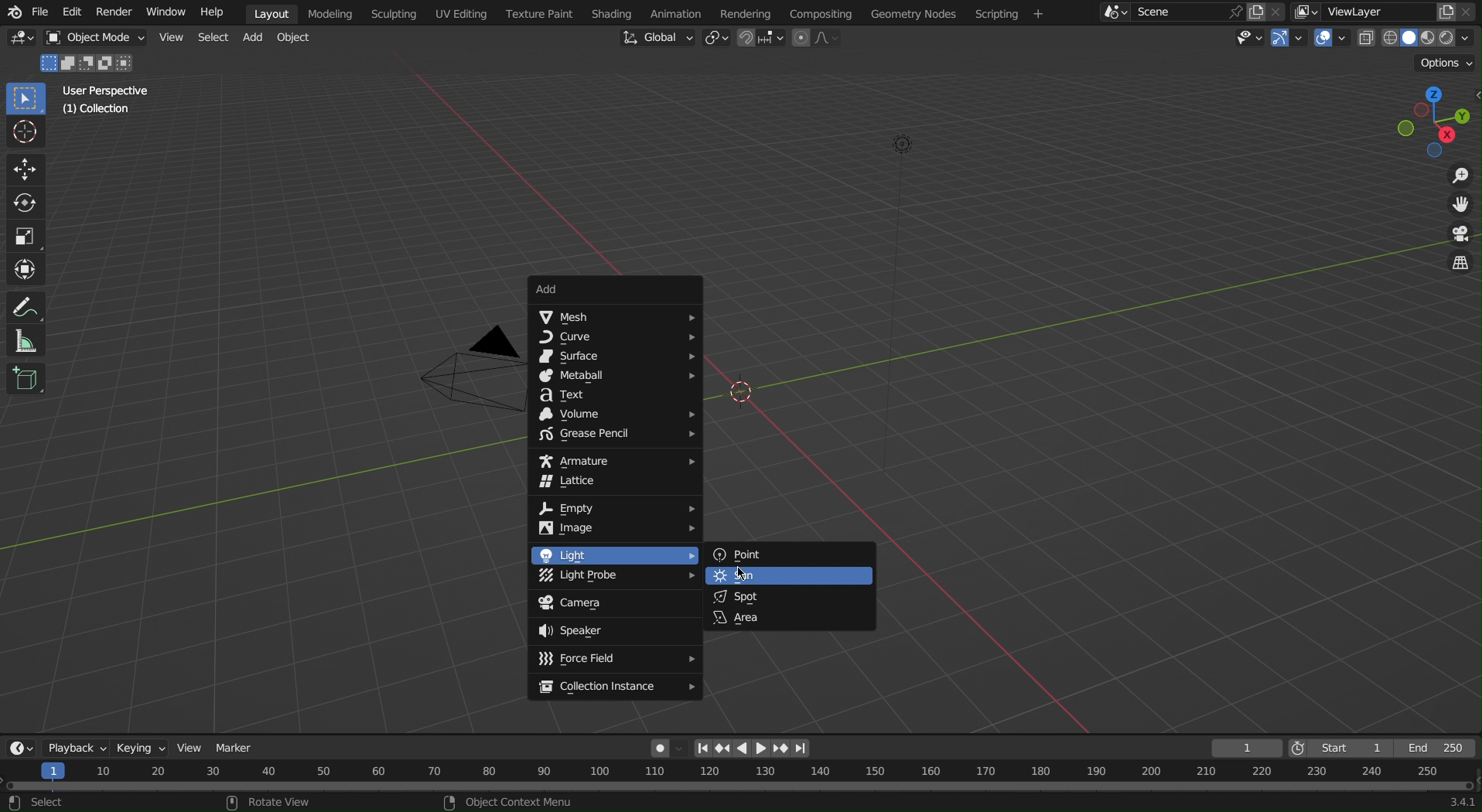  Describe the element at coordinates (26, 169) in the screenshot. I see `Move` at that location.